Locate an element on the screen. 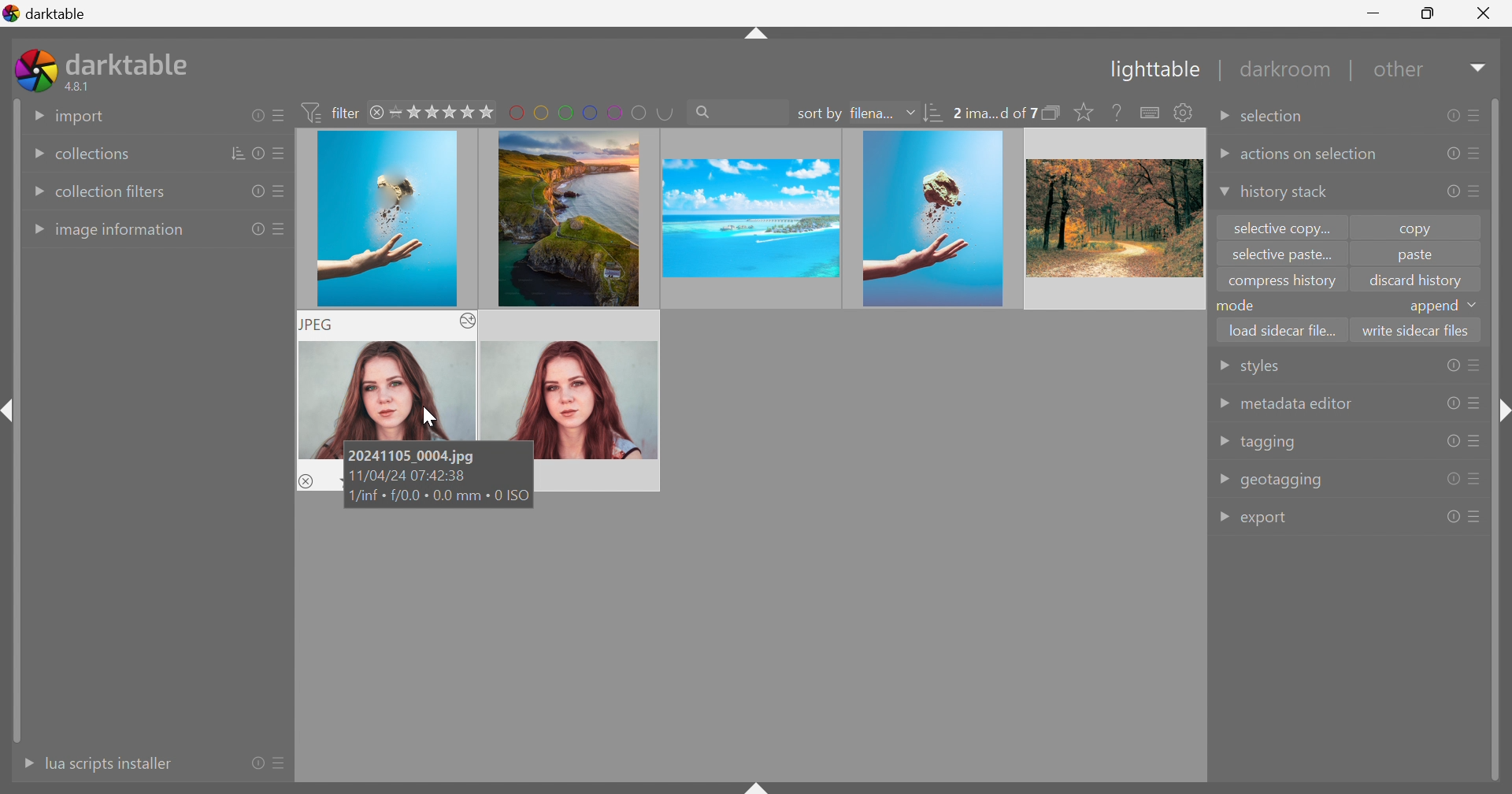  search is located at coordinates (736, 110).